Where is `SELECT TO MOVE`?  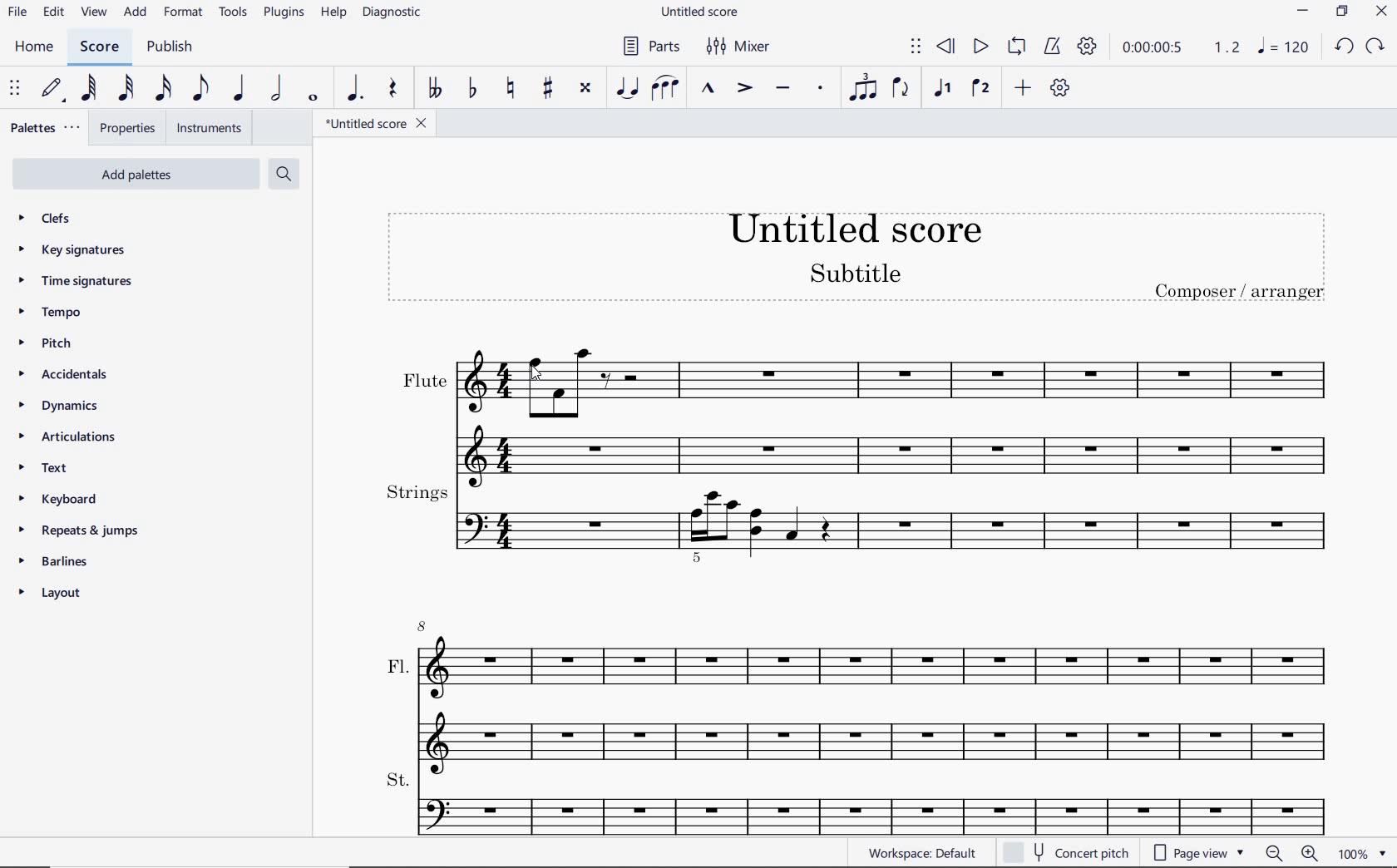
SELECT TO MOVE is located at coordinates (15, 89).